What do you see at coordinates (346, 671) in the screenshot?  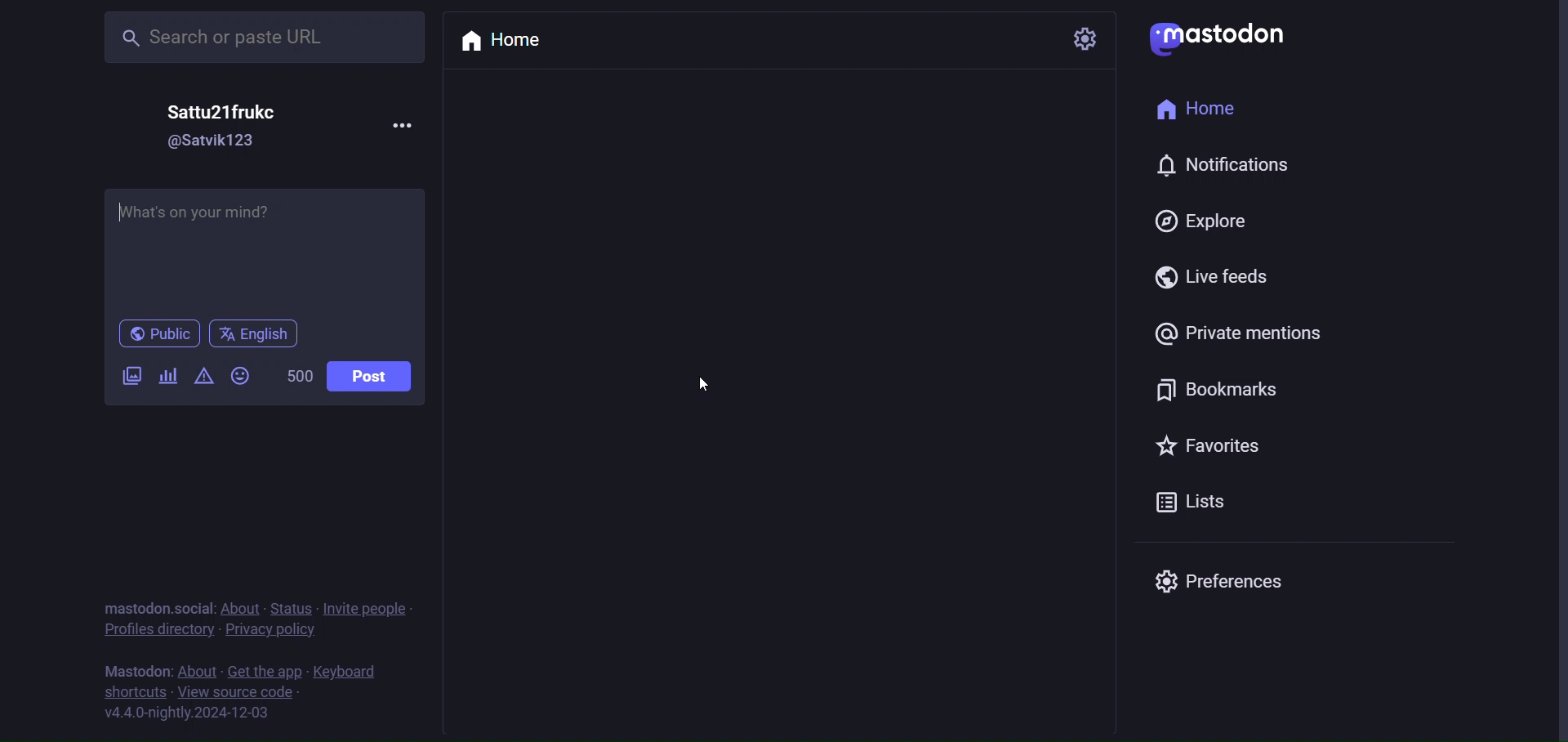 I see `keyboard` at bounding box center [346, 671].